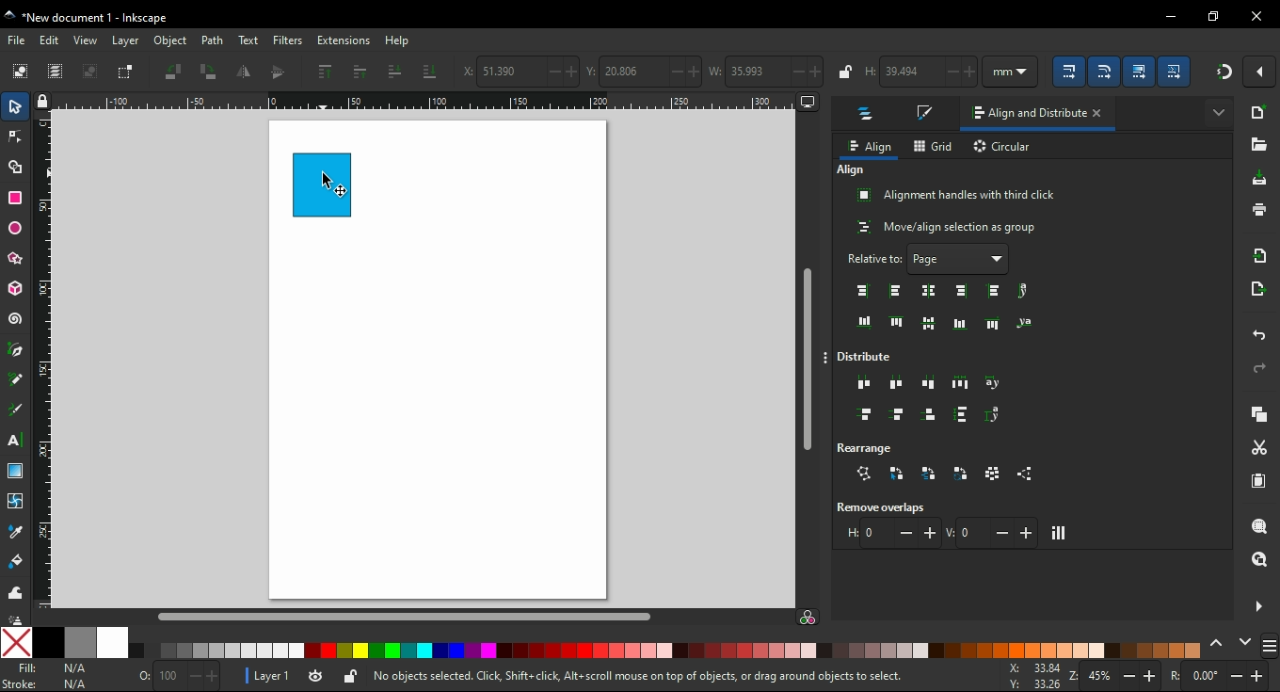 The image size is (1280, 692). I want to click on grid, so click(934, 146).